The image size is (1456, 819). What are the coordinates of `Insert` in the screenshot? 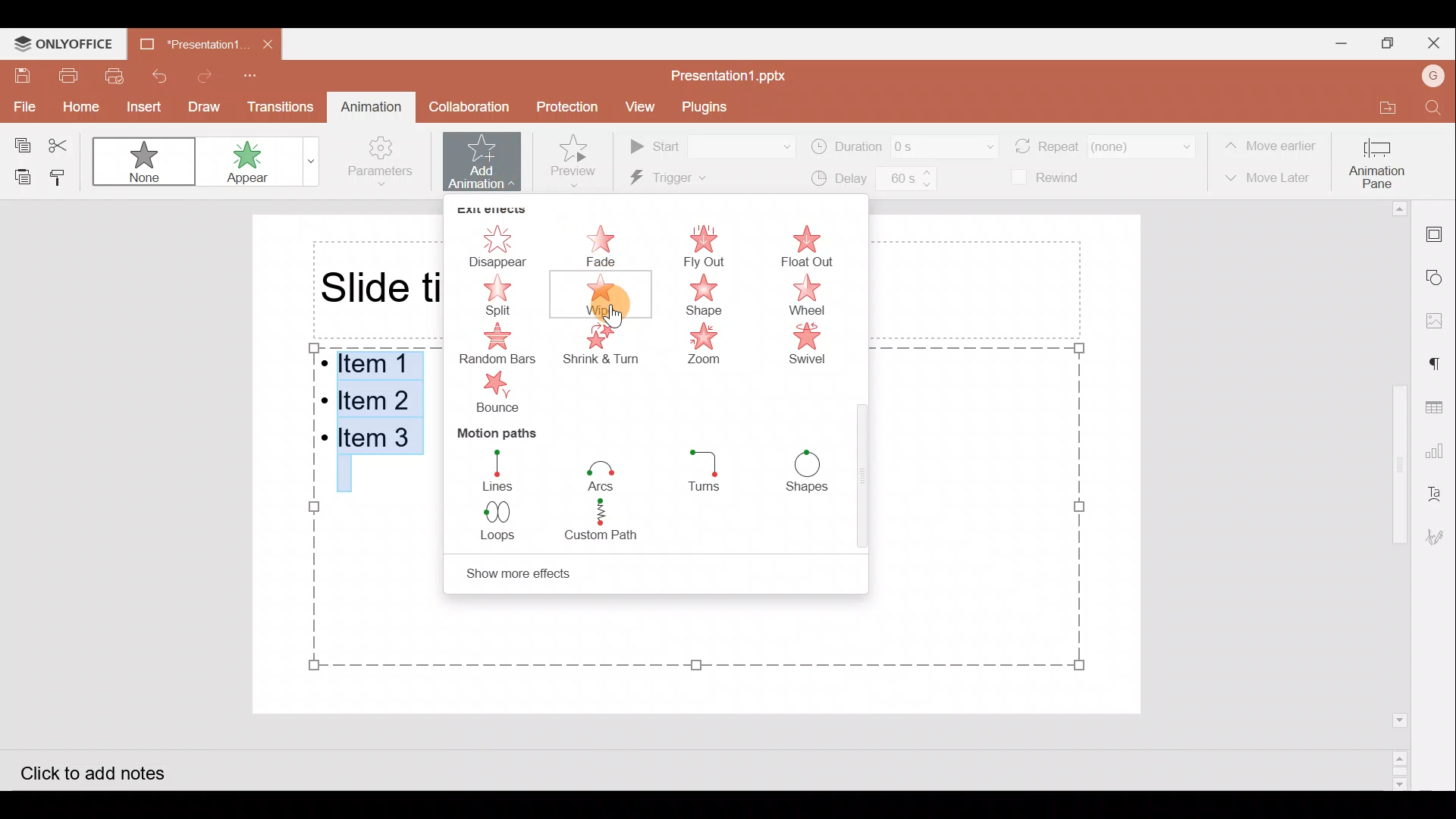 It's located at (140, 105).